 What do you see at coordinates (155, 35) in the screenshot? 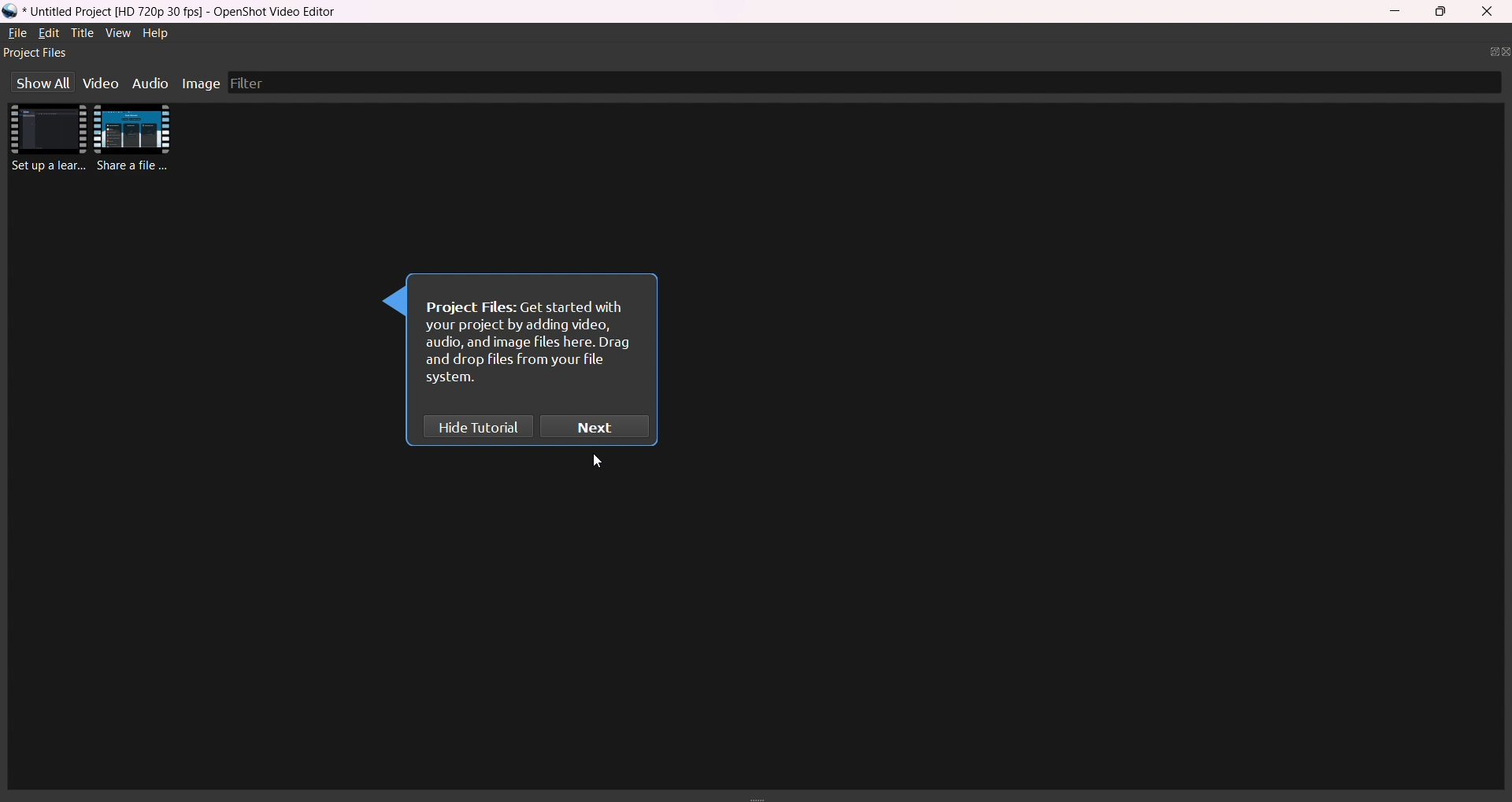
I see `help` at bounding box center [155, 35].